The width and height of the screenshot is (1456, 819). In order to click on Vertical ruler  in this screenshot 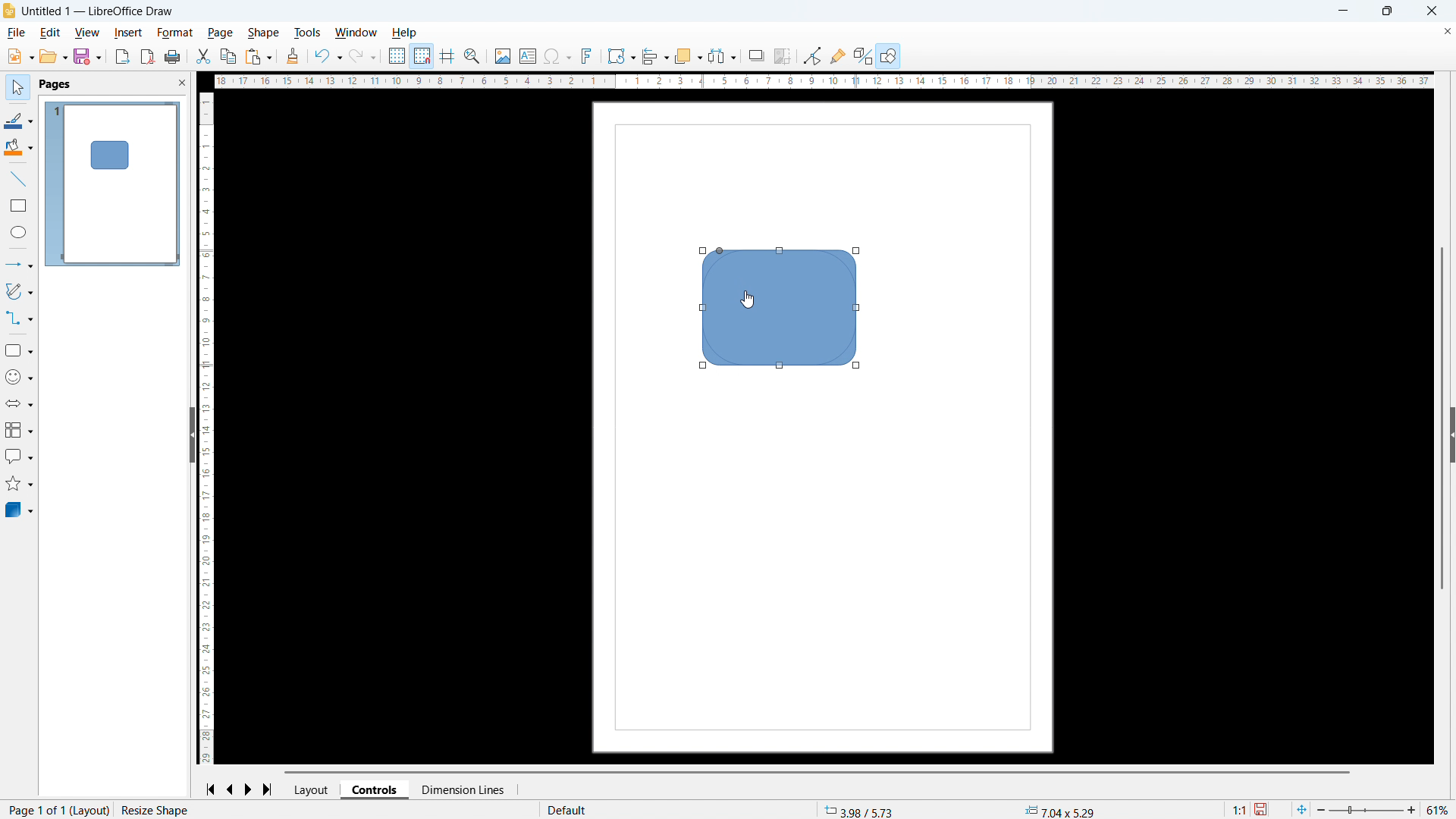, I will do `click(207, 428)`.